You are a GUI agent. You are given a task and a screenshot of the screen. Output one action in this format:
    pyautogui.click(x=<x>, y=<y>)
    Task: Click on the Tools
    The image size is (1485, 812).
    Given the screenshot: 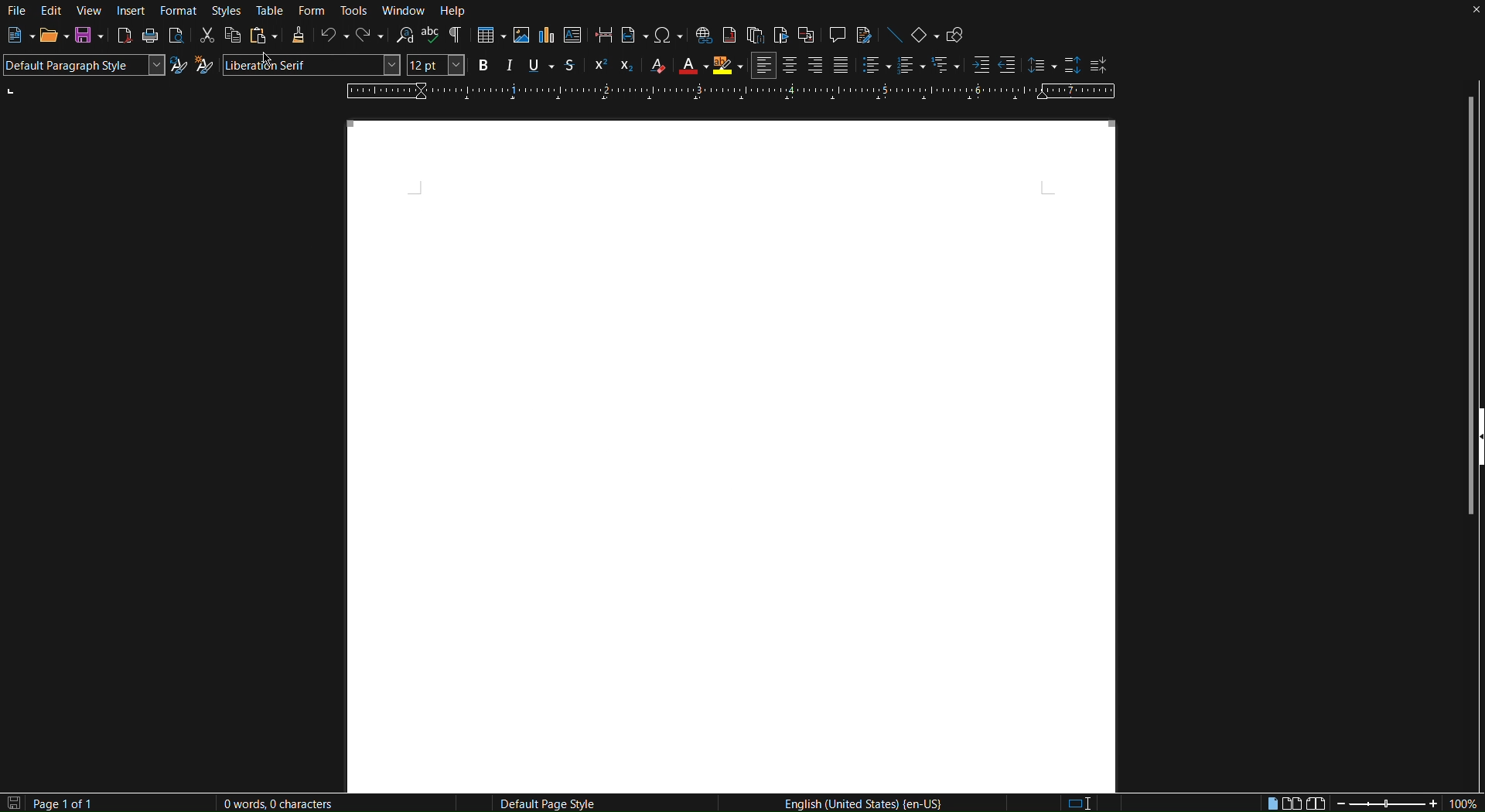 What is the action you would take?
    pyautogui.click(x=355, y=11)
    